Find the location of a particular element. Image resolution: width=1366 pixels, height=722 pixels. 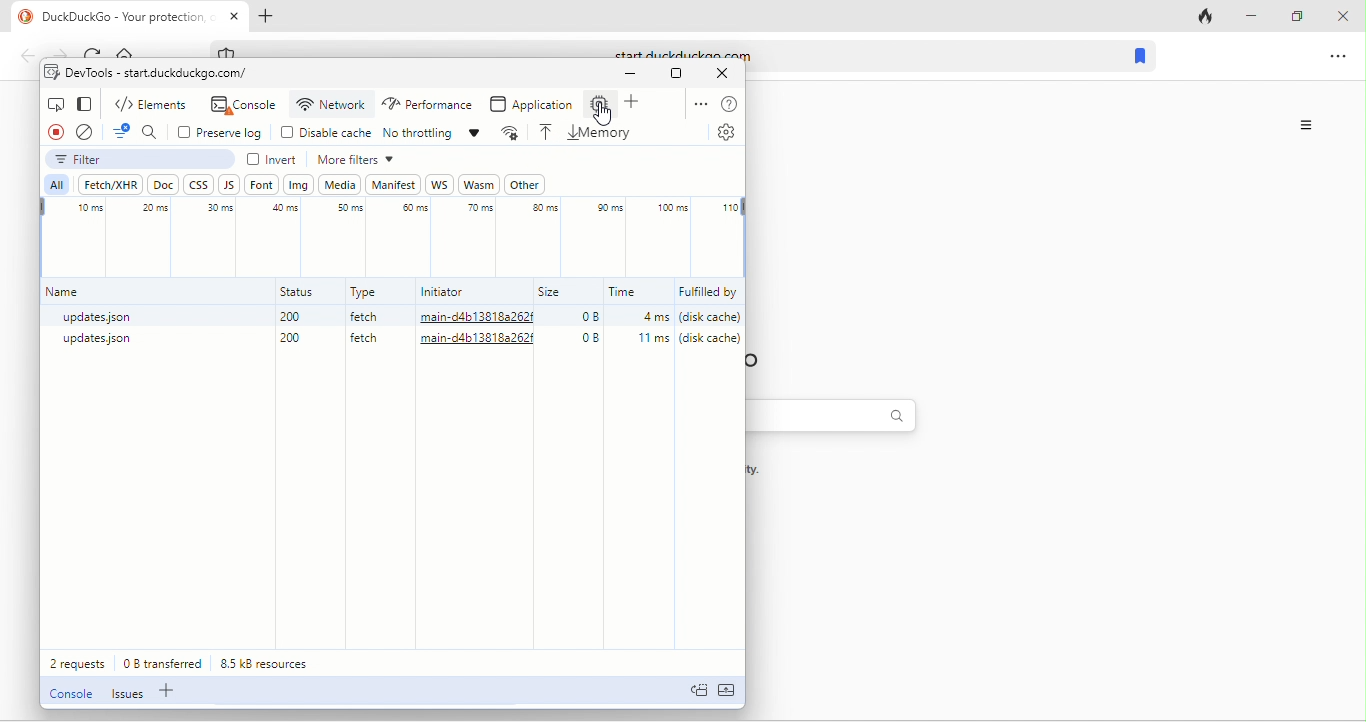

settings is located at coordinates (724, 131).